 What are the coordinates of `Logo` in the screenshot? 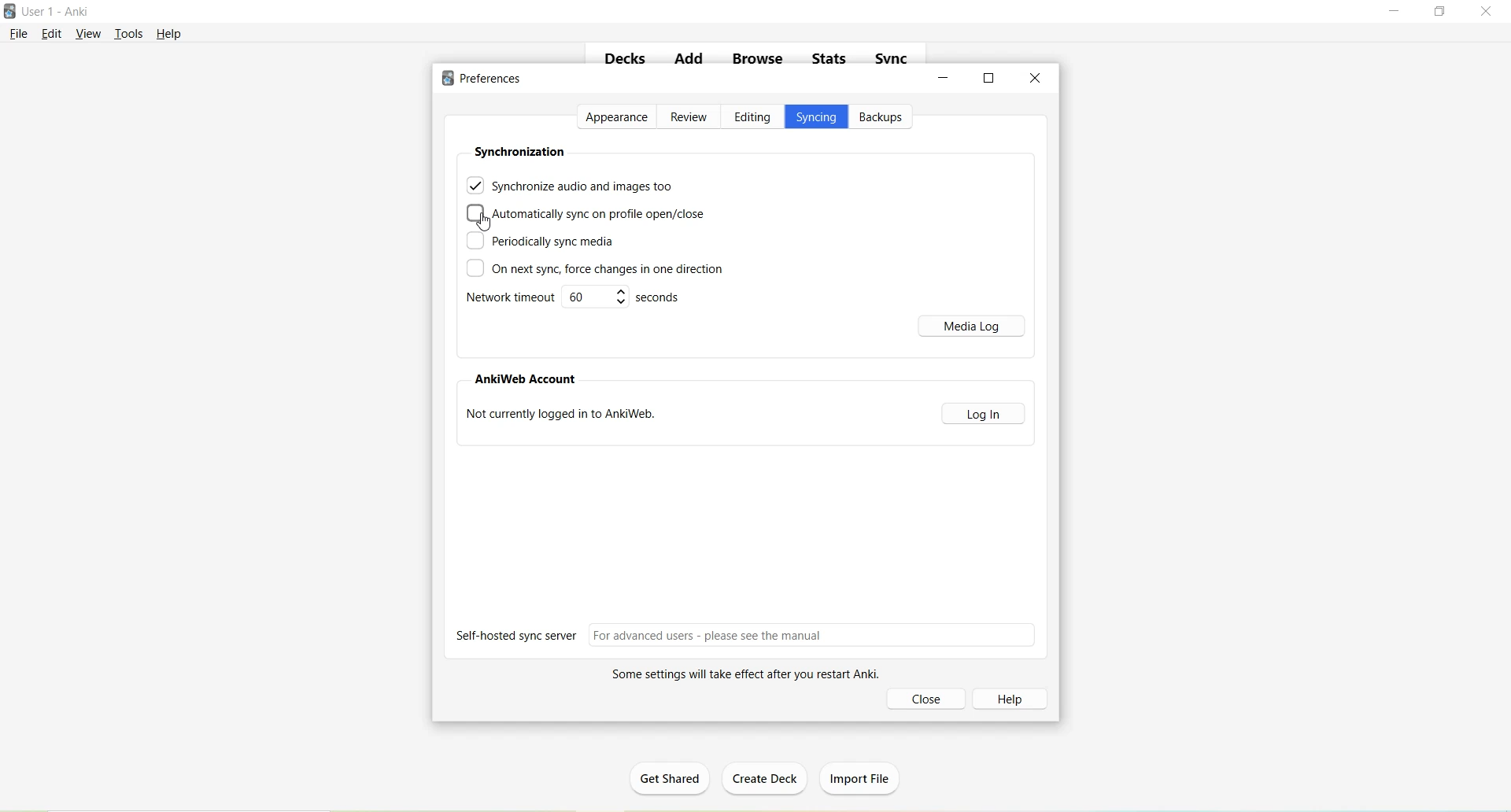 It's located at (12, 12).